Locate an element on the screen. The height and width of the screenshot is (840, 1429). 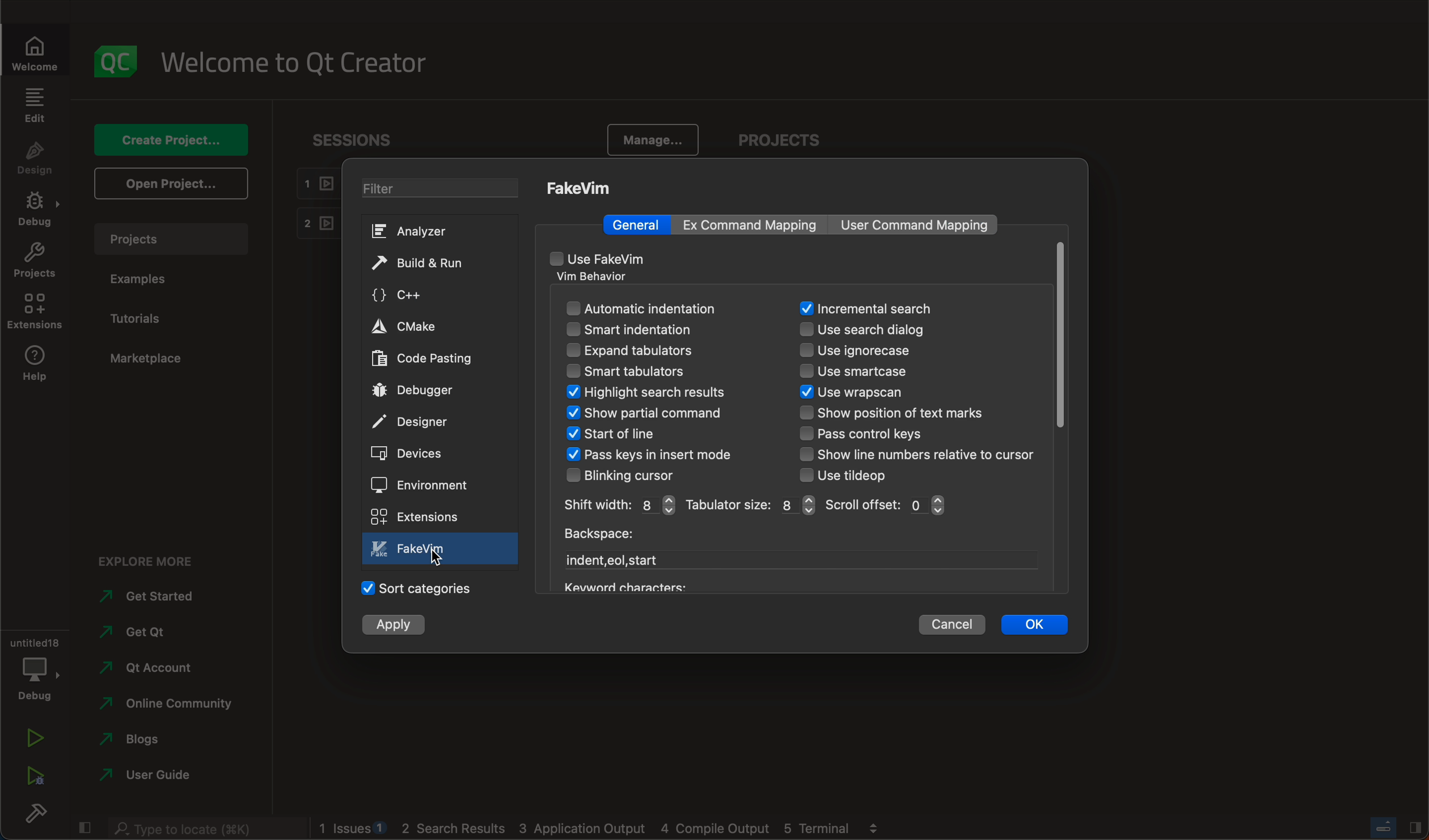
debugger is located at coordinates (420, 390).